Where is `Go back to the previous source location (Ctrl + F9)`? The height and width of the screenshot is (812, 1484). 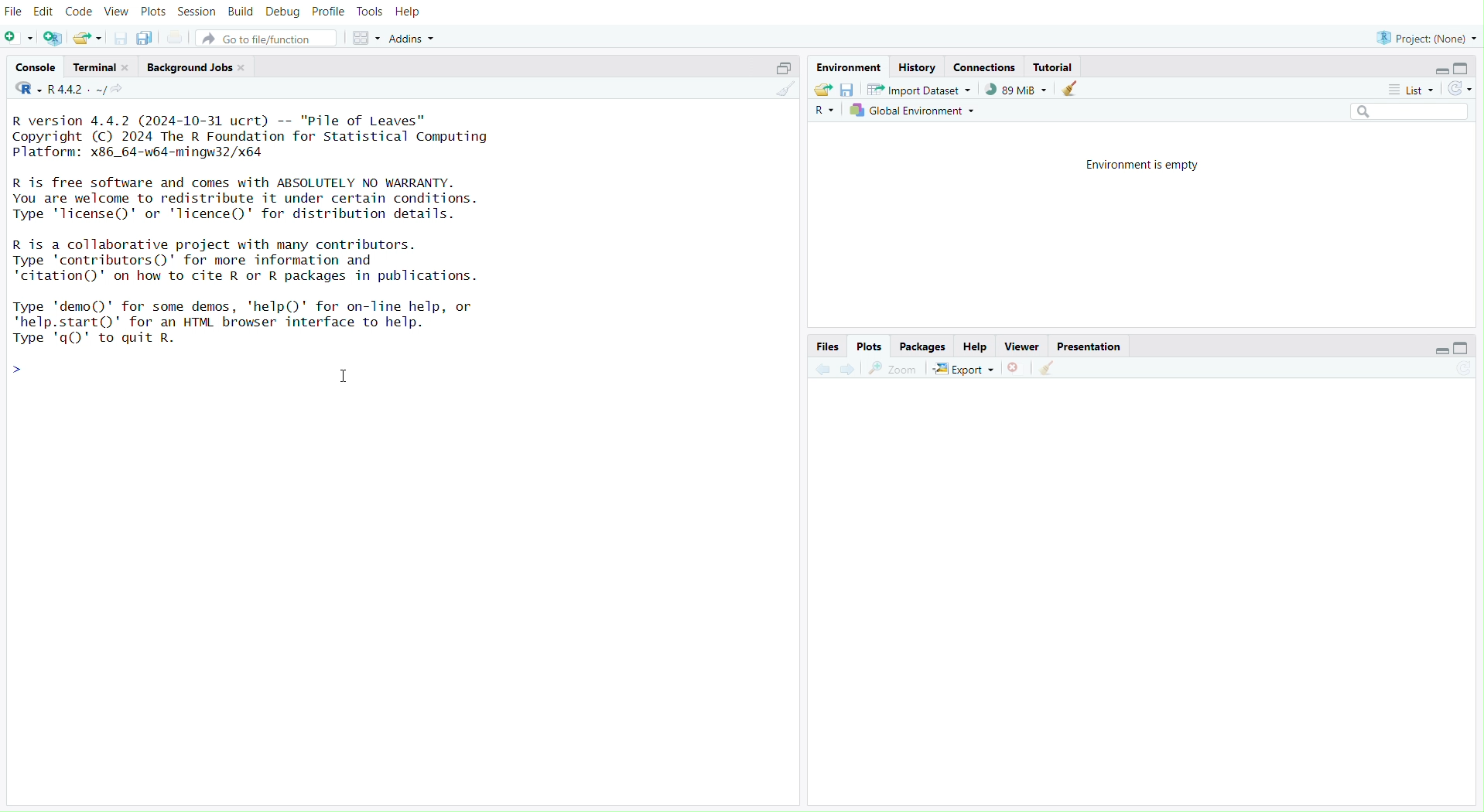 Go back to the previous source location (Ctrl + F9) is located at coordinates (822, 369).